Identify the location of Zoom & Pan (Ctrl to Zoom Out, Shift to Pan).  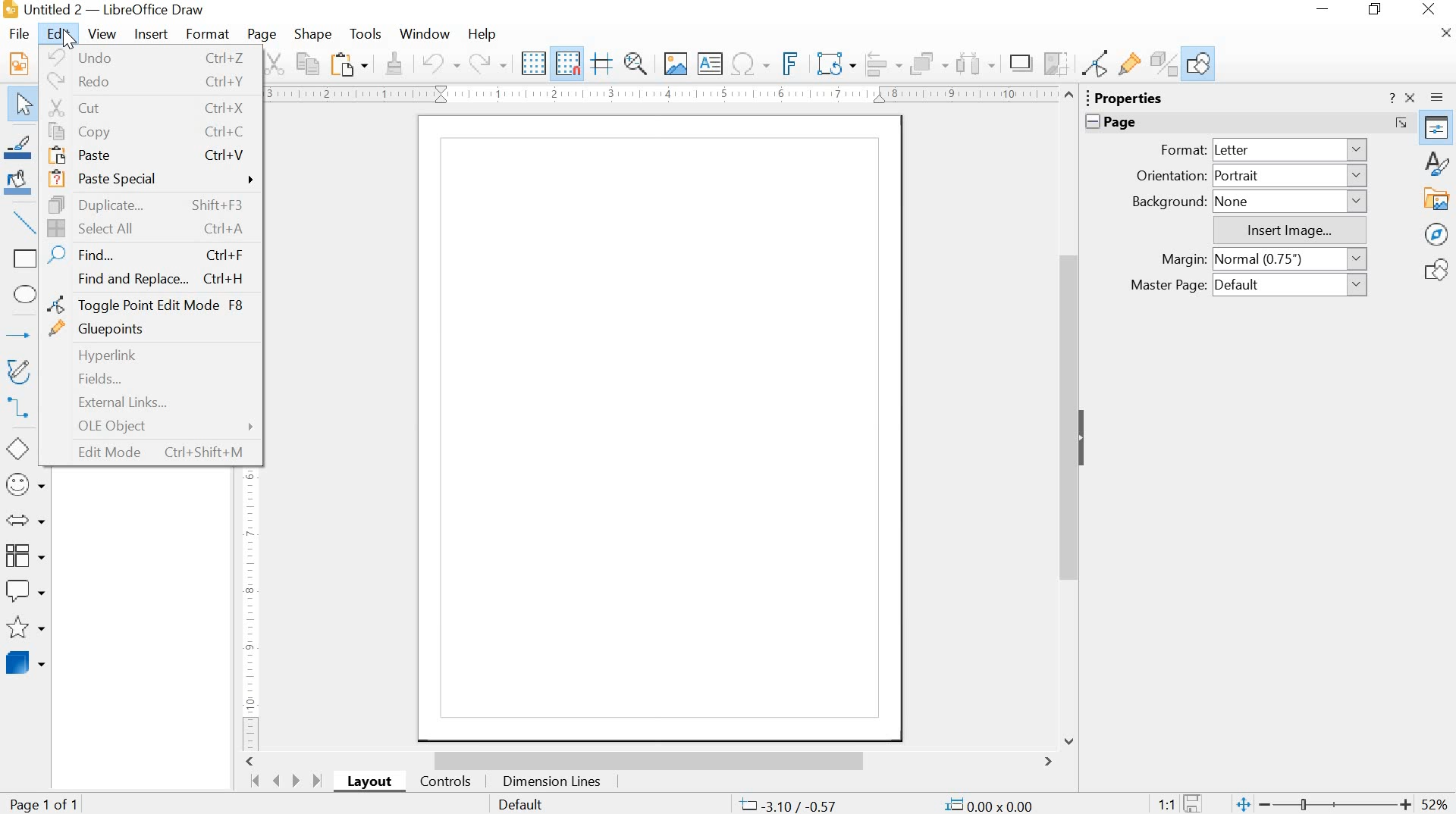
(636, 64).